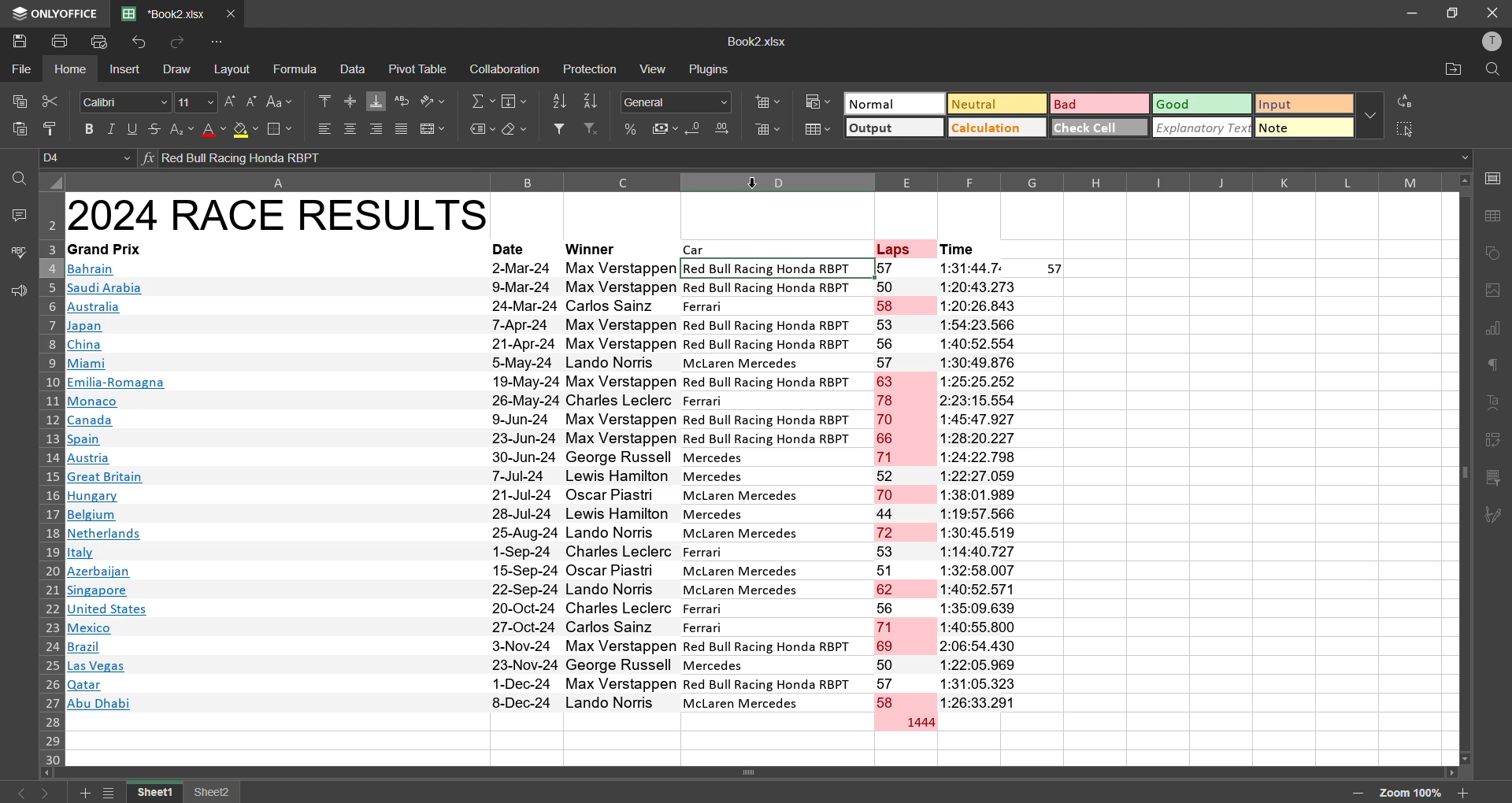 Image resolution: width=1512 pixels, height=803 pixels. What do you see at coordinates (1304, 129) in the screenshot?
I see `note` at bounding box center [1304, 129].